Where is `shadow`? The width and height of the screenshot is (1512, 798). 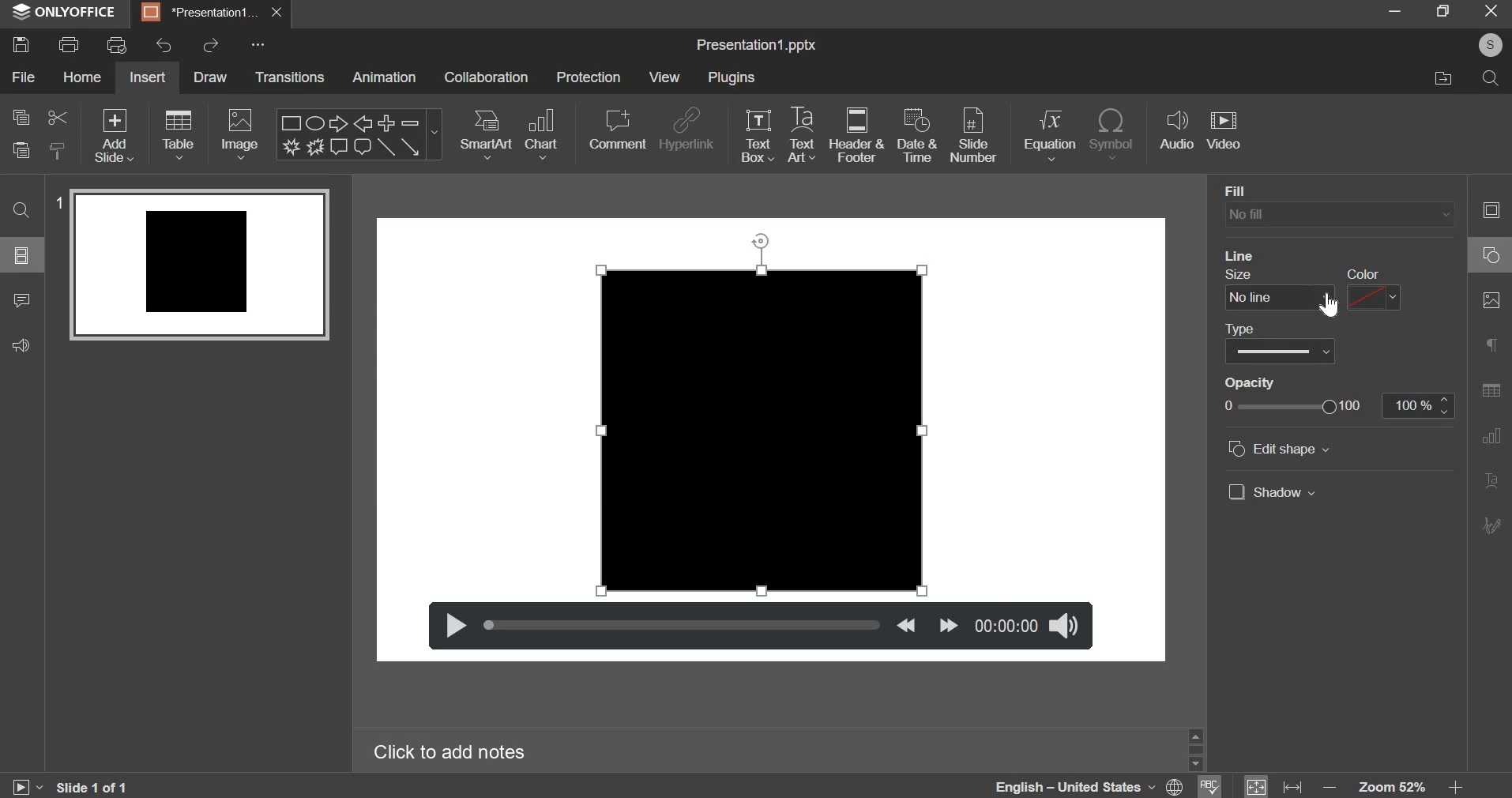 shadow is located at coordinates (1276, 491).